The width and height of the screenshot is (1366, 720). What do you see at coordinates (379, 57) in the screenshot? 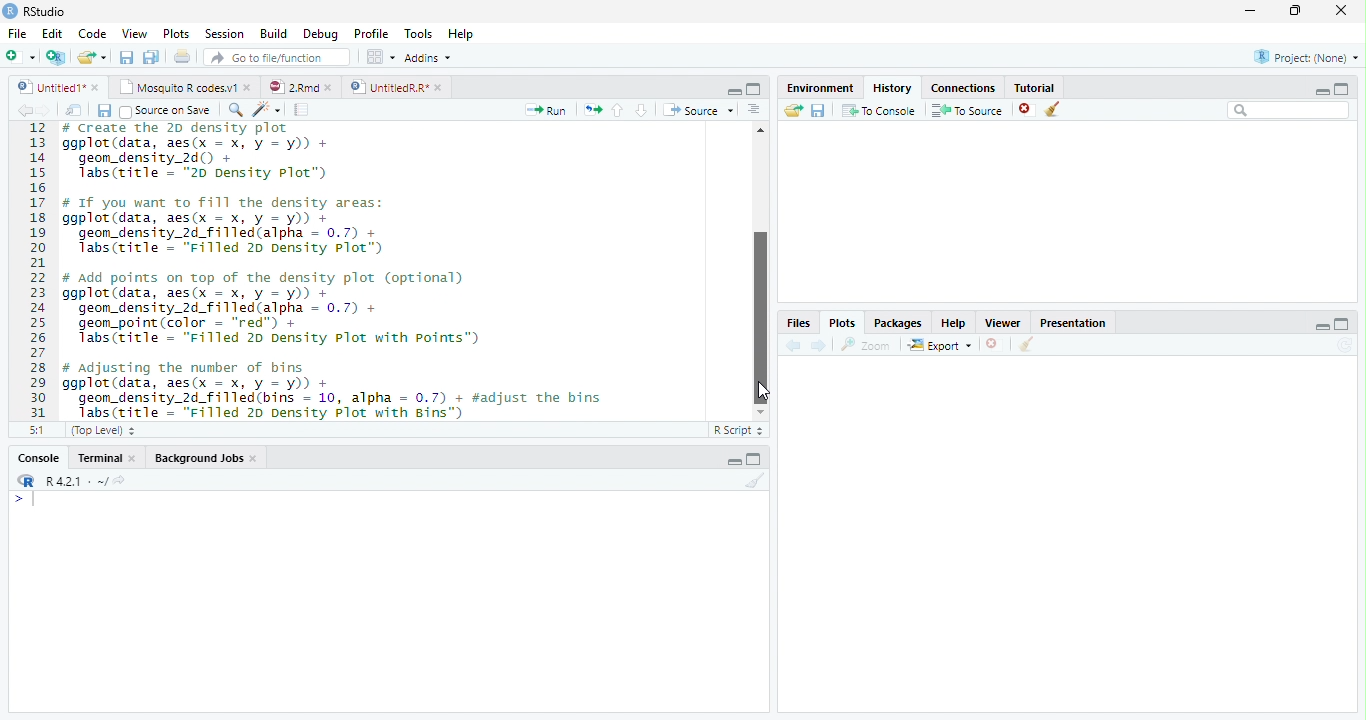
I see `wrokspace pan` at bounding box center [379, 57].